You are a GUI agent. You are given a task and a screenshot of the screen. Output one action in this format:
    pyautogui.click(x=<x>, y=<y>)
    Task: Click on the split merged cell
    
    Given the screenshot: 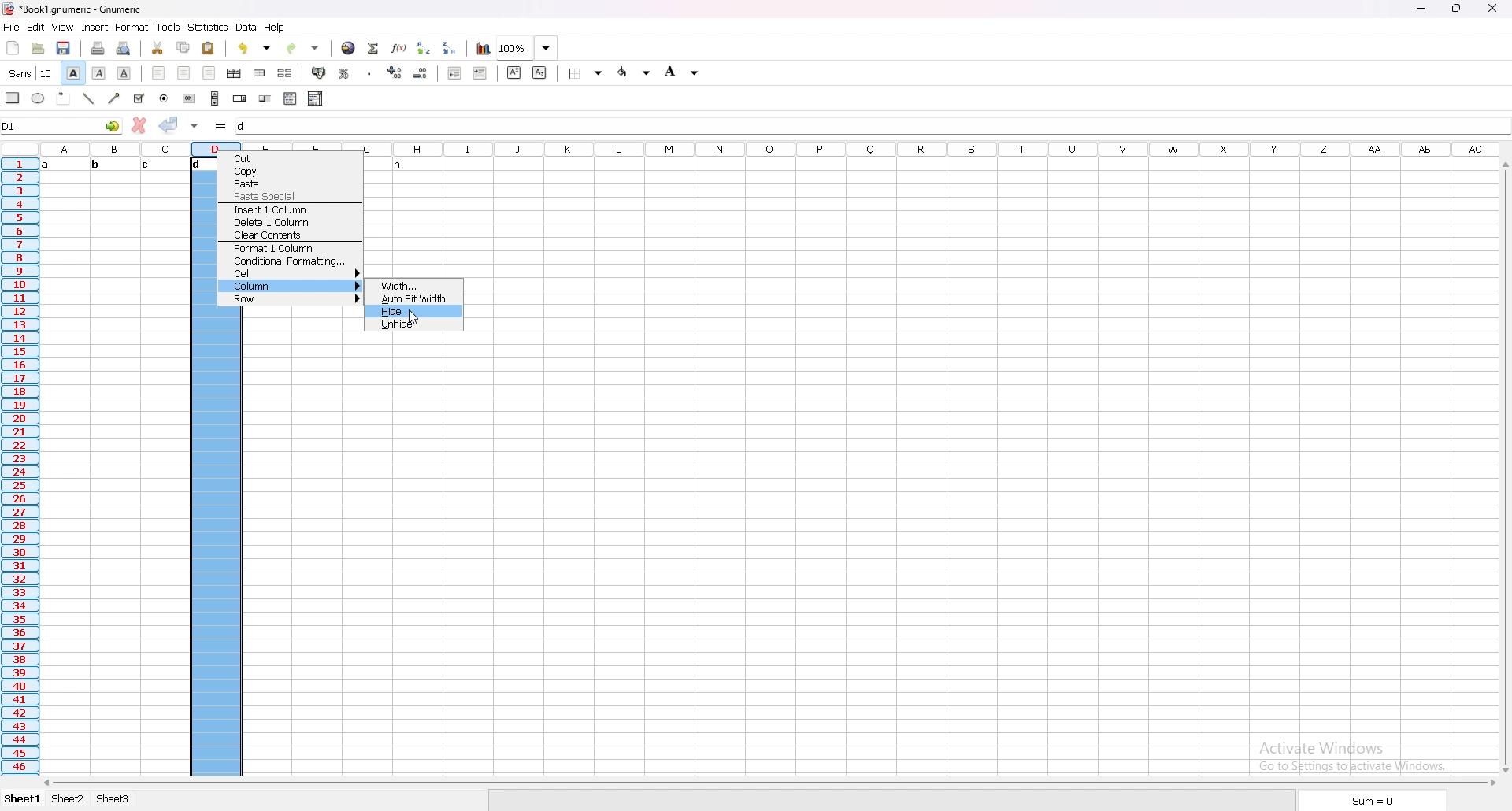 What is the action you would take?
    pyautogui.click(x=285, y=72)
    